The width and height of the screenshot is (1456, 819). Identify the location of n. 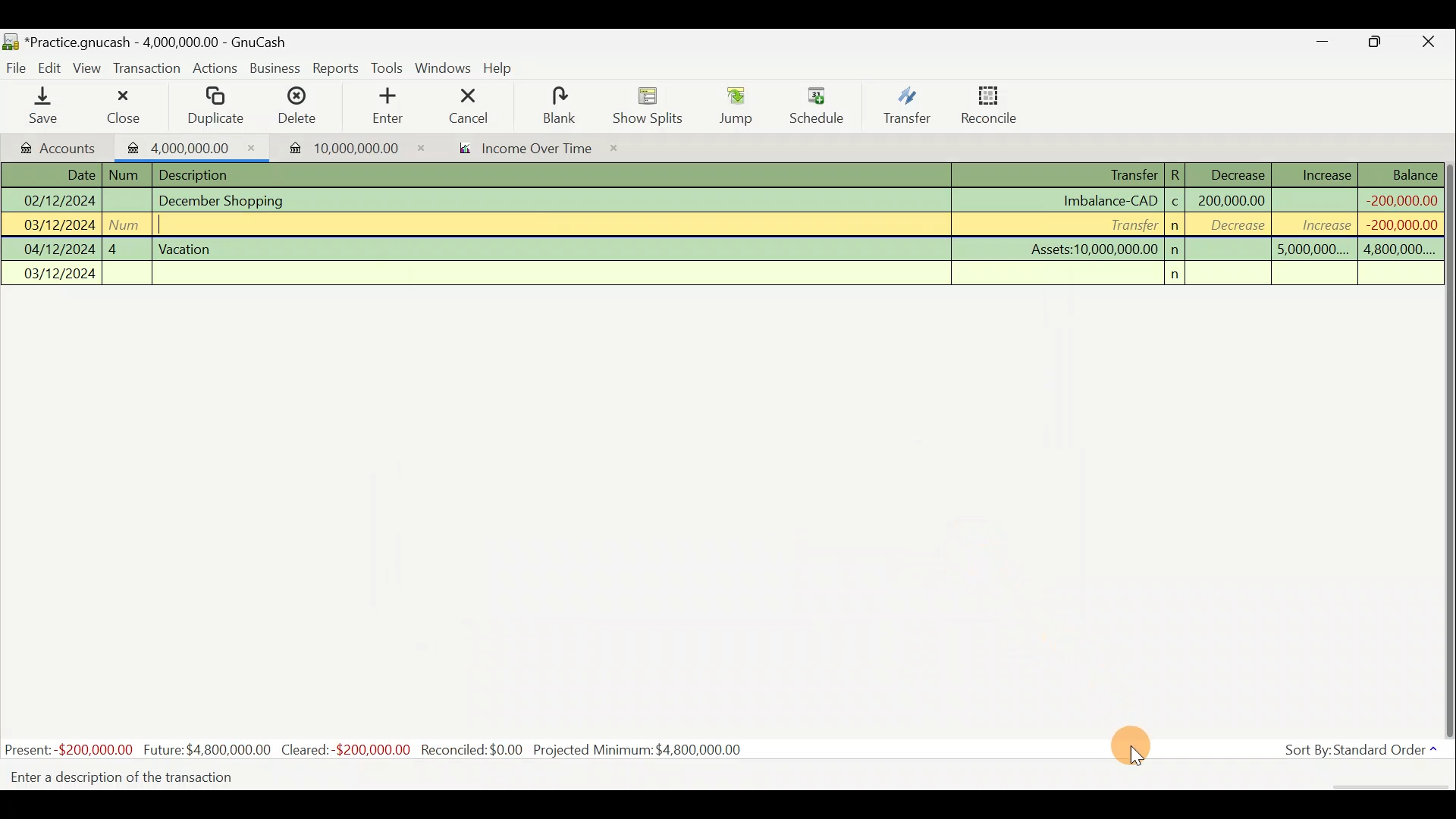
(1177, 249).